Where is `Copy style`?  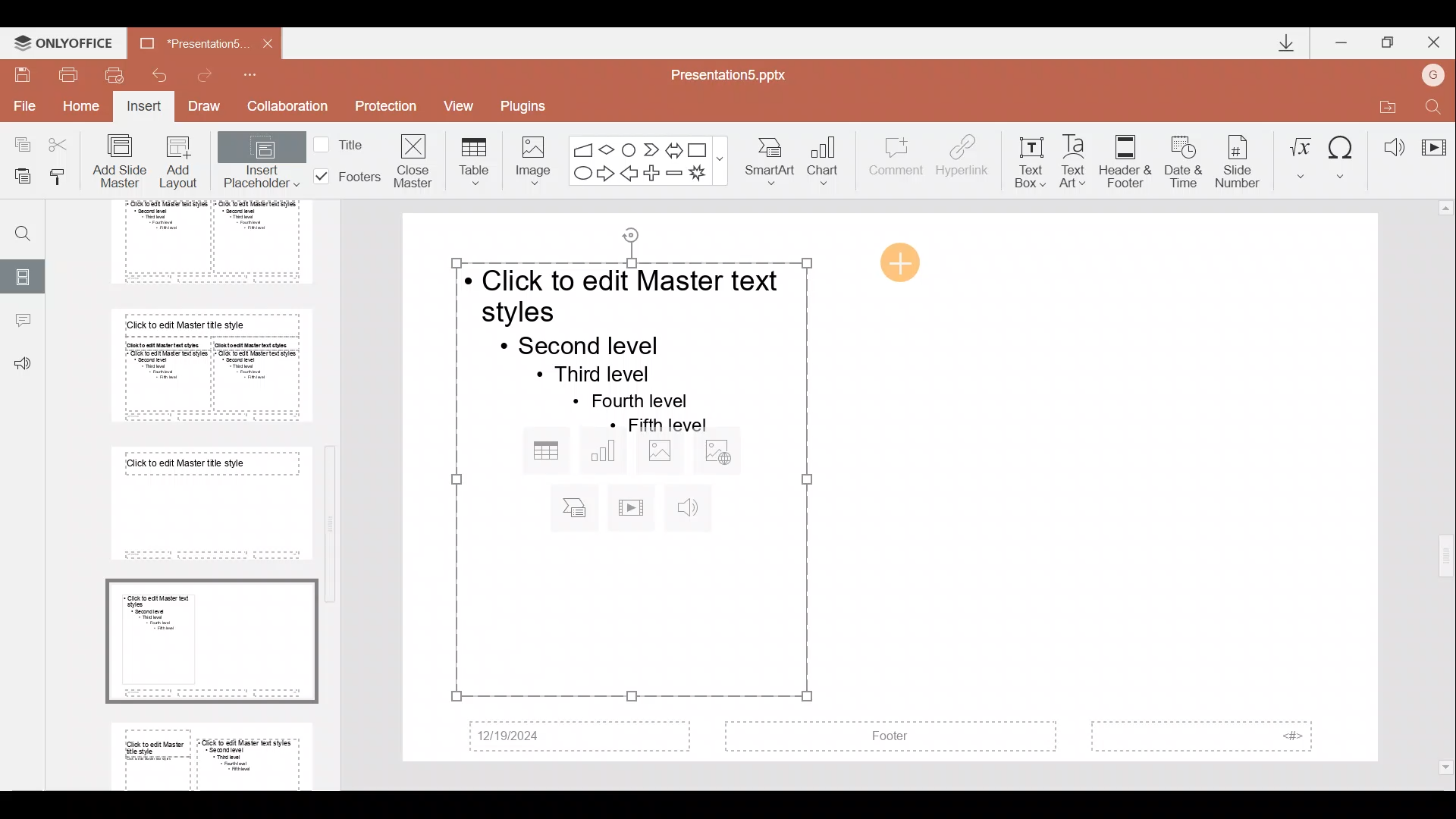
Copy style is located at coordinates (64, 176).